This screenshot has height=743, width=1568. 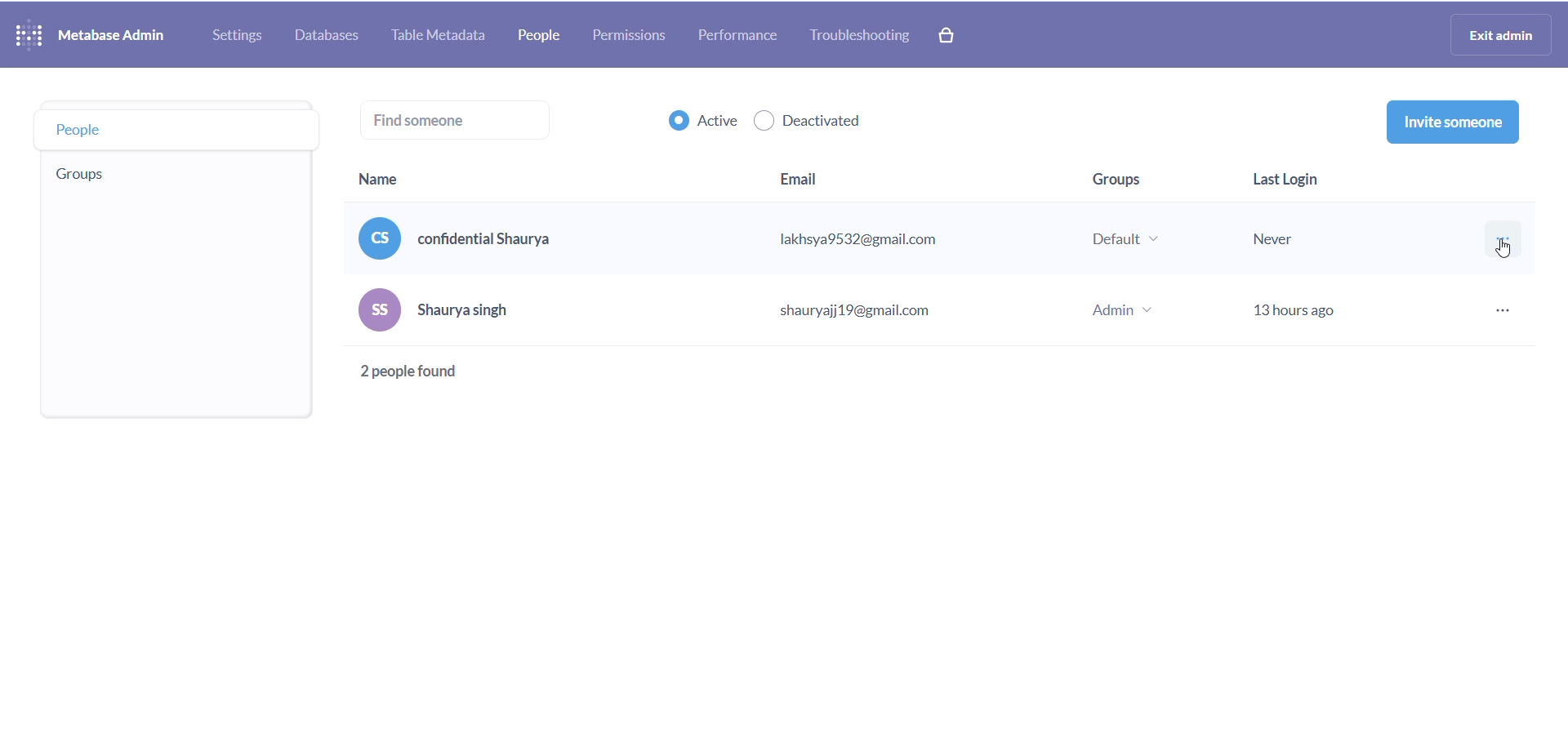 I want to click on active checkbox, so click(x=700, y=122).